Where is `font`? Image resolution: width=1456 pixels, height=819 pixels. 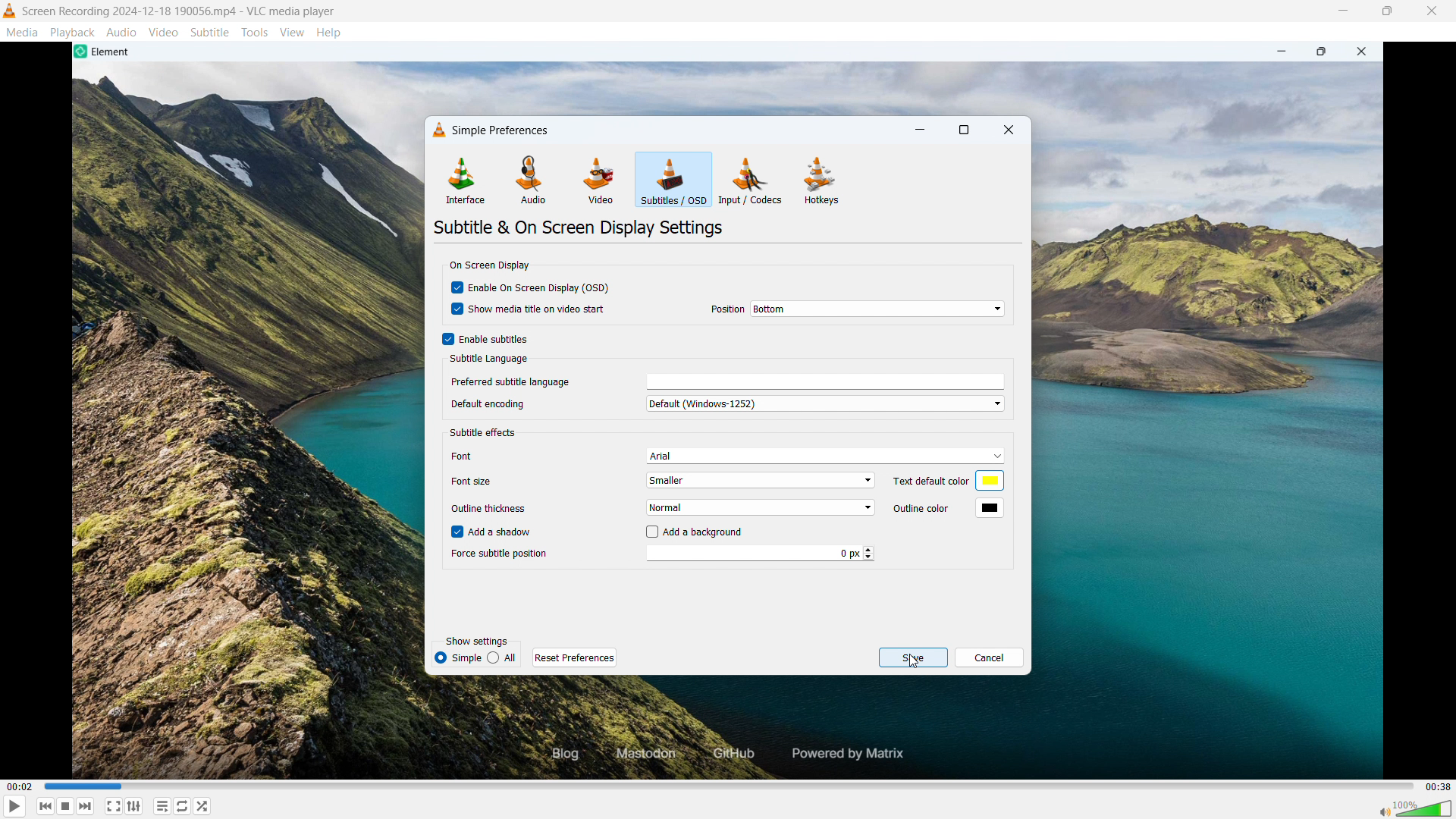
font is located at coordinates (476, 453).